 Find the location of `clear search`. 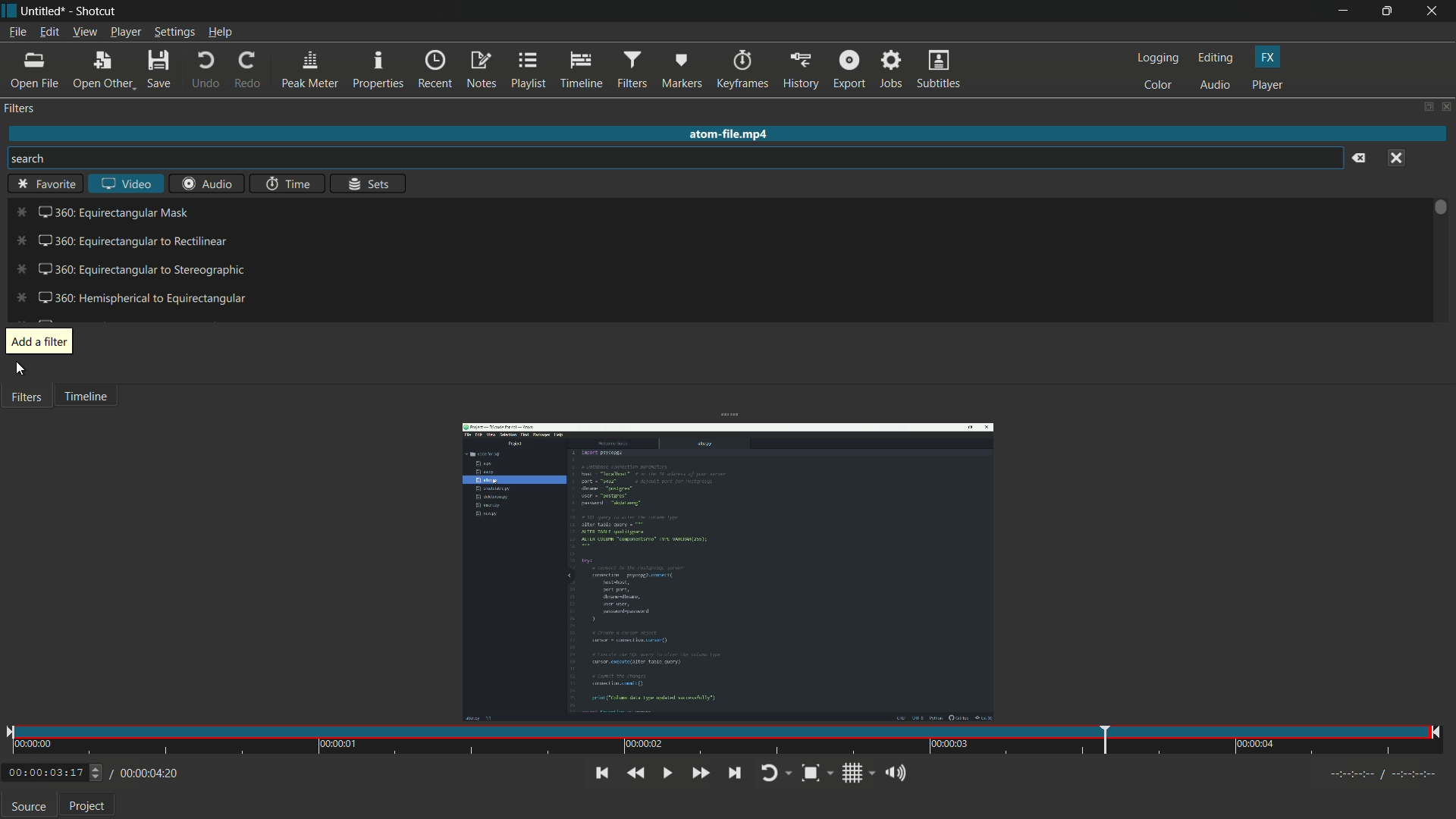

clear search is located at coordinates (1360, 158).